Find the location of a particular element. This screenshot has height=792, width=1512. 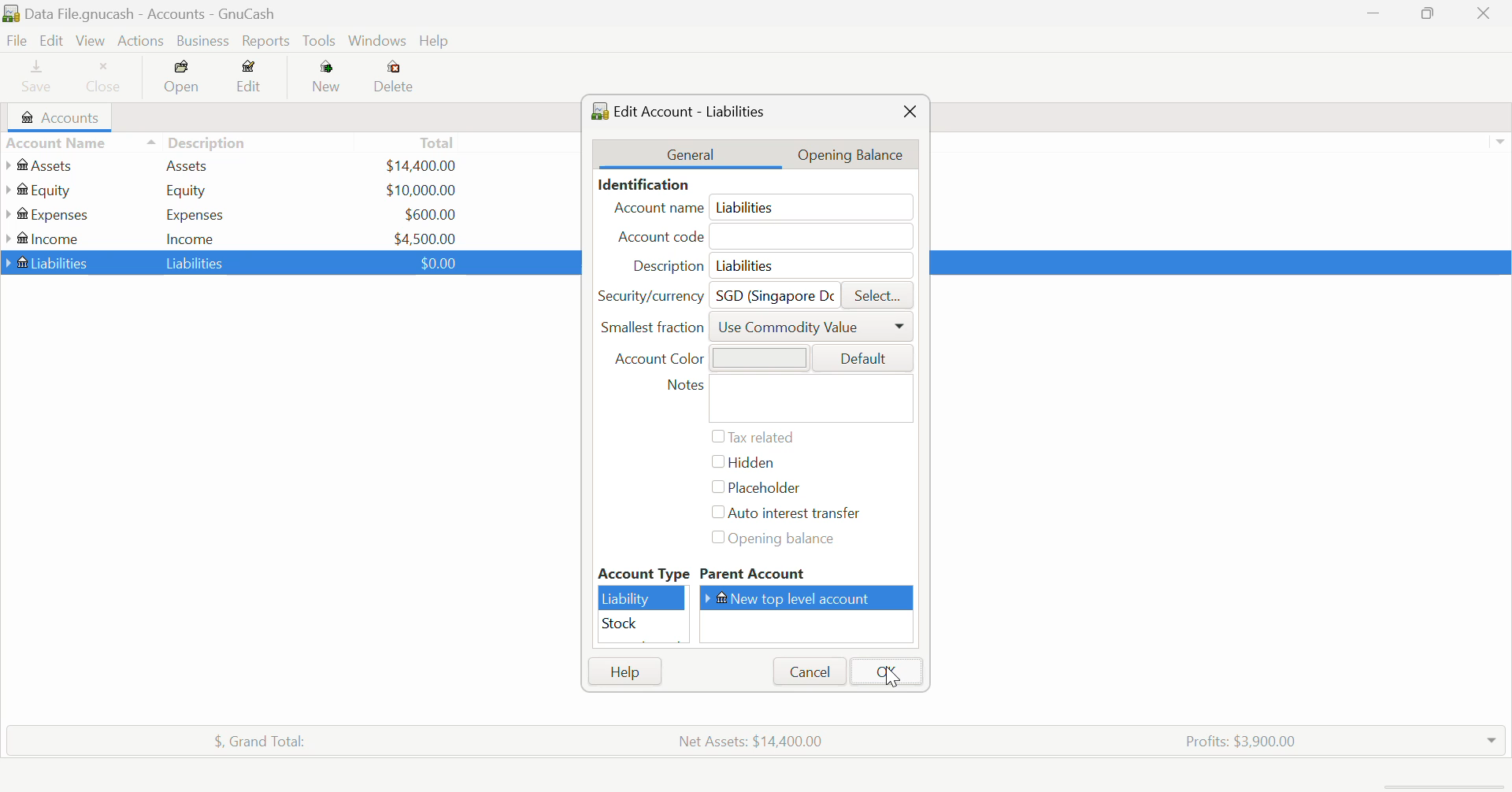

New top level account is located at coordinates (812, 598).